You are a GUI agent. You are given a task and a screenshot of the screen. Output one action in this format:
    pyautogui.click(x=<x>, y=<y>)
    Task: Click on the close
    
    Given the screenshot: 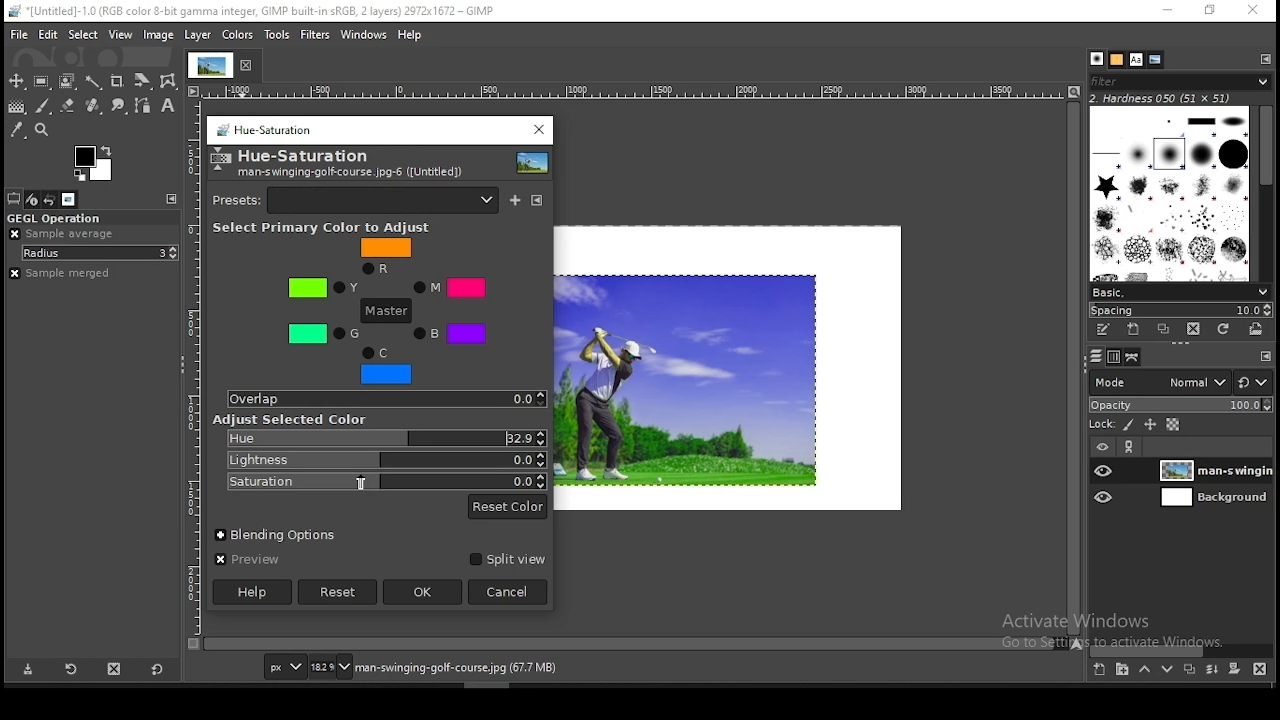 What is the action you would take?
    pyautogui.click(x=249, y=70)
    